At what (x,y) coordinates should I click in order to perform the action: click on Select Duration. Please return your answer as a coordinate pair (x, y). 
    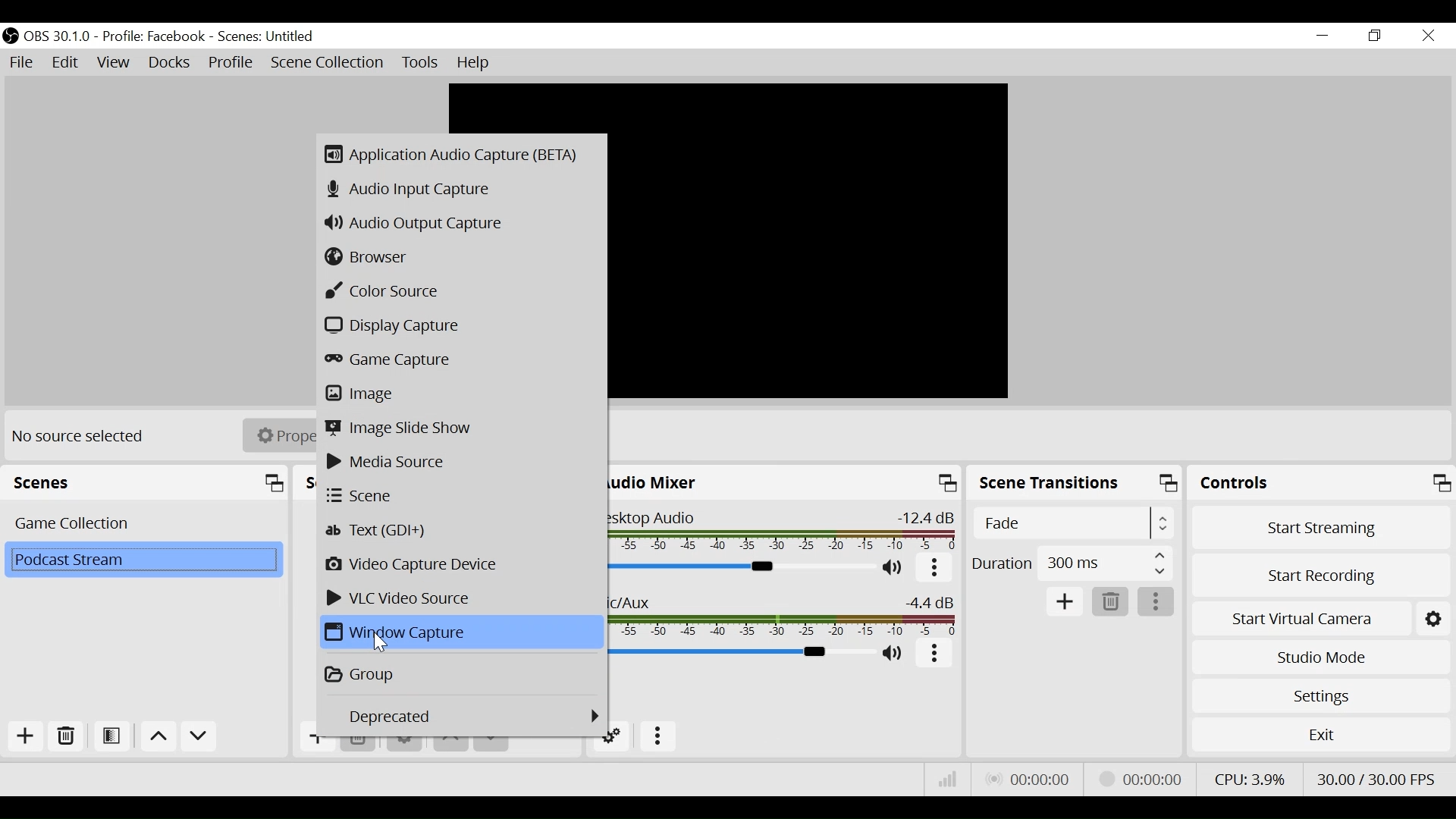
    Looking at the image, I should click on (1072, 563).